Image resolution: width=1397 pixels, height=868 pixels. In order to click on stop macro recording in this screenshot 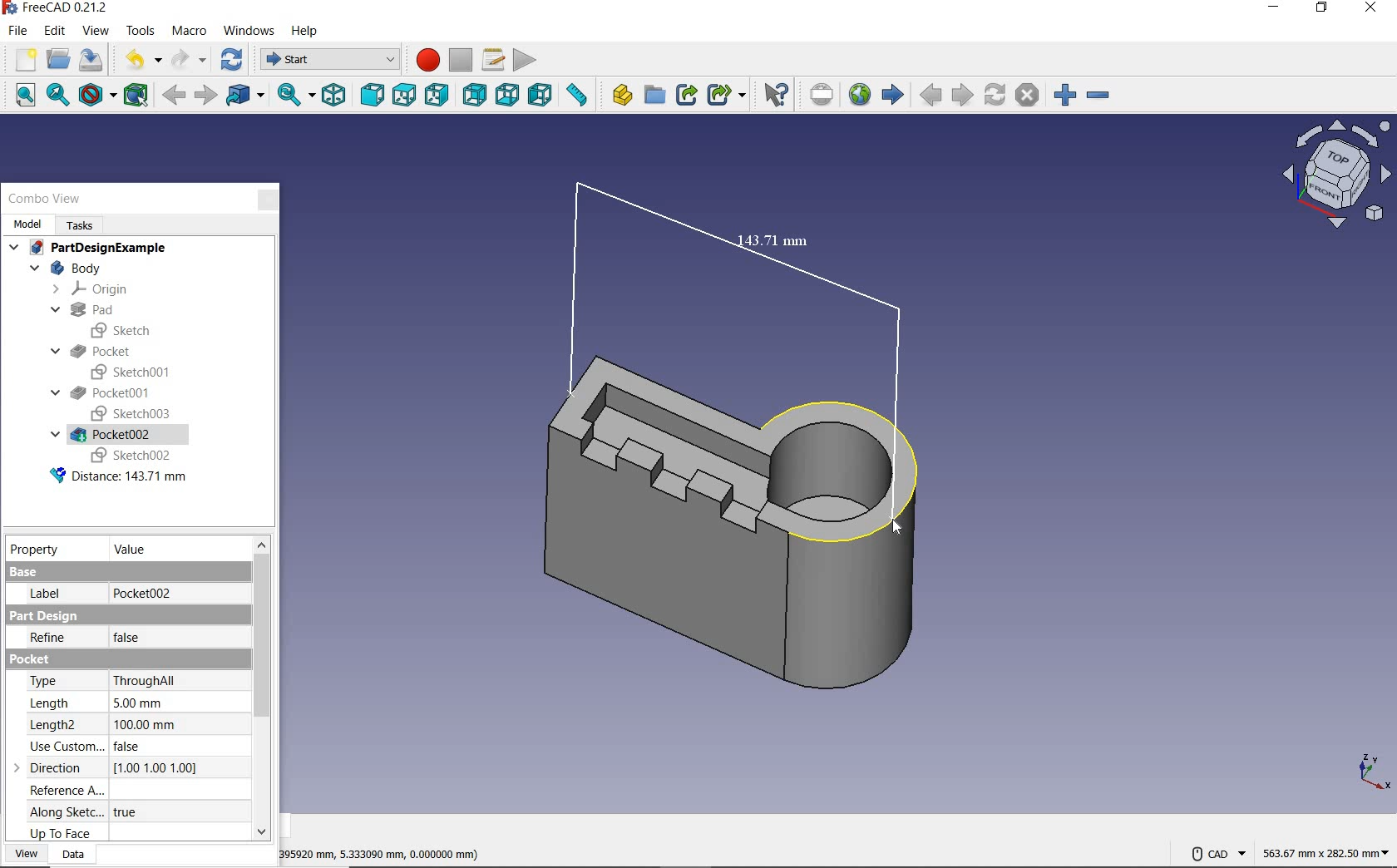, I will do `click(460, 61)`.